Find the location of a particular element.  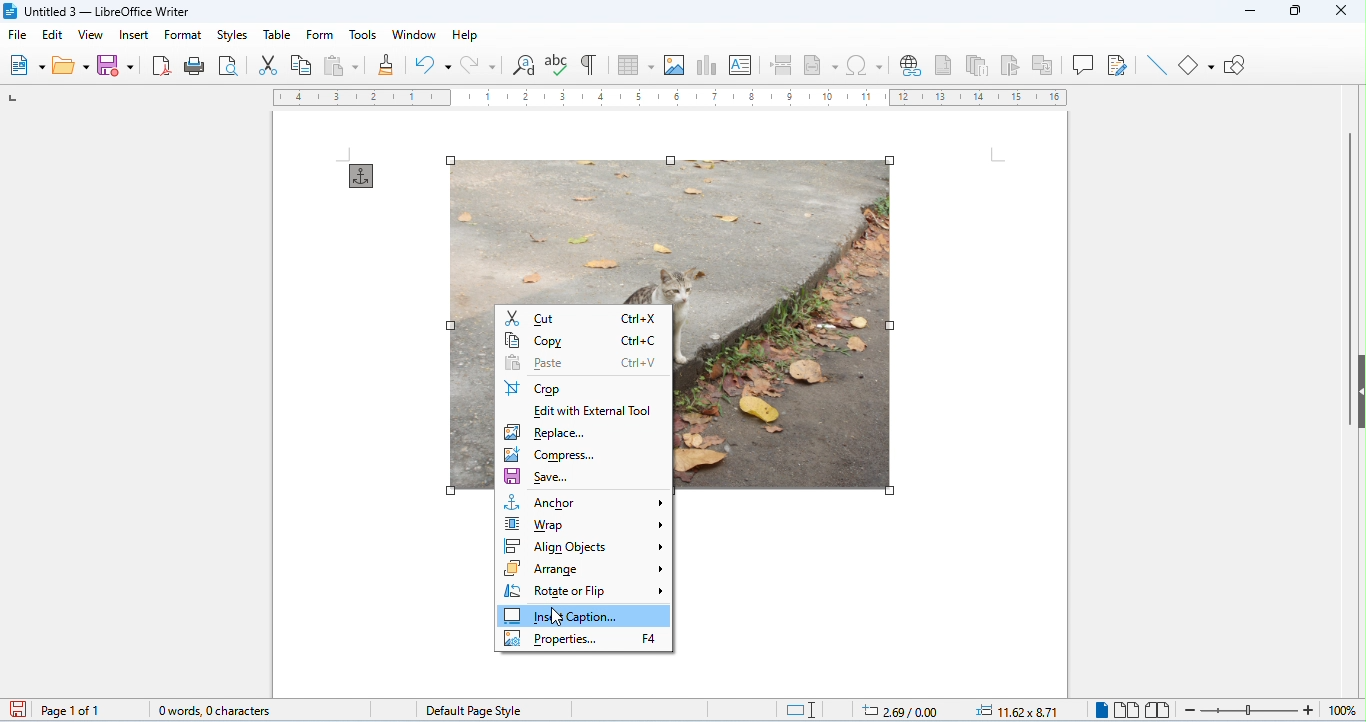

print preview is located at coordinates (229, 65).